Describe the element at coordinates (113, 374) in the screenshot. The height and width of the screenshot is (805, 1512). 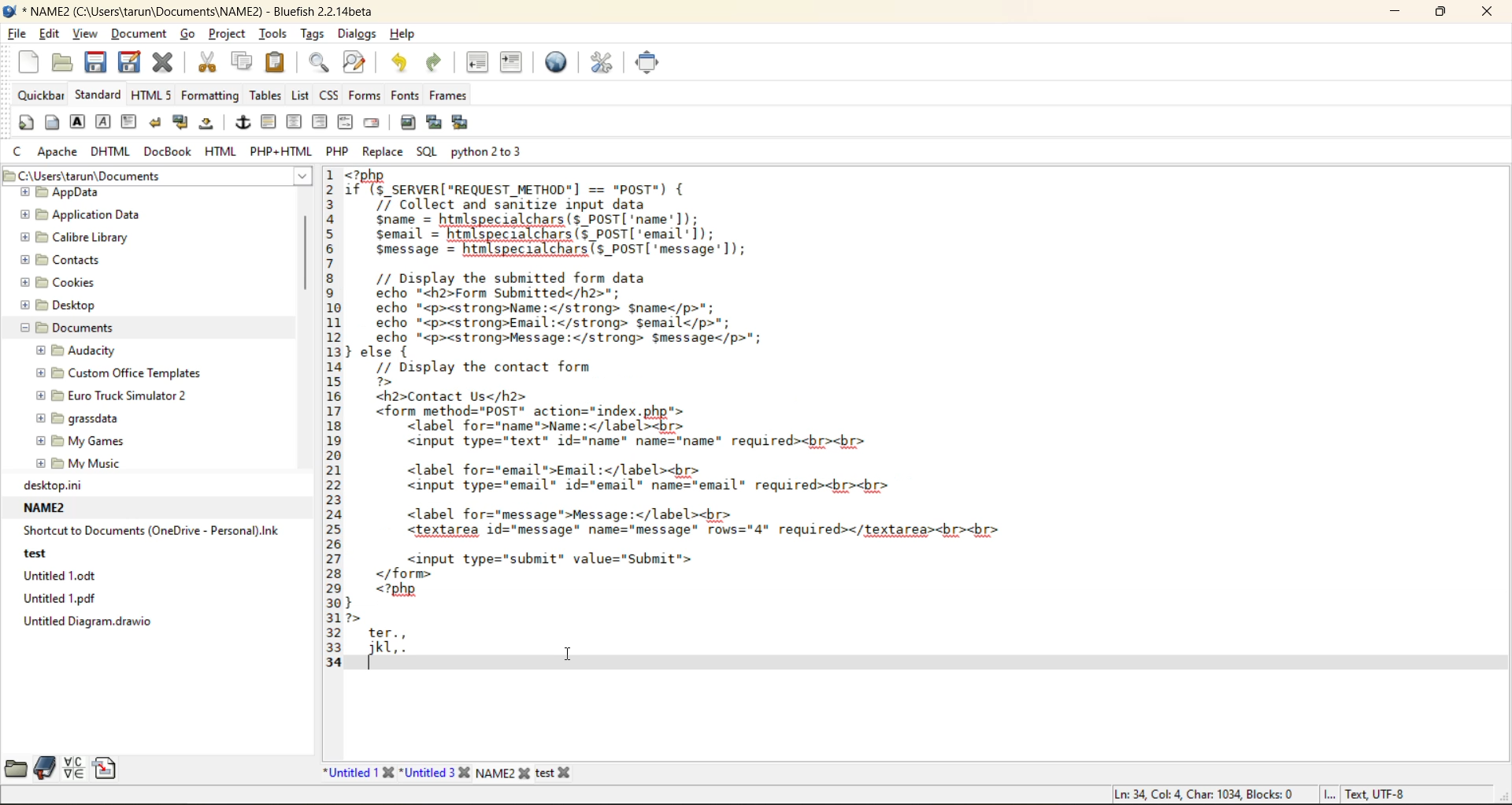
I see `Custom Office Templates` at that location.